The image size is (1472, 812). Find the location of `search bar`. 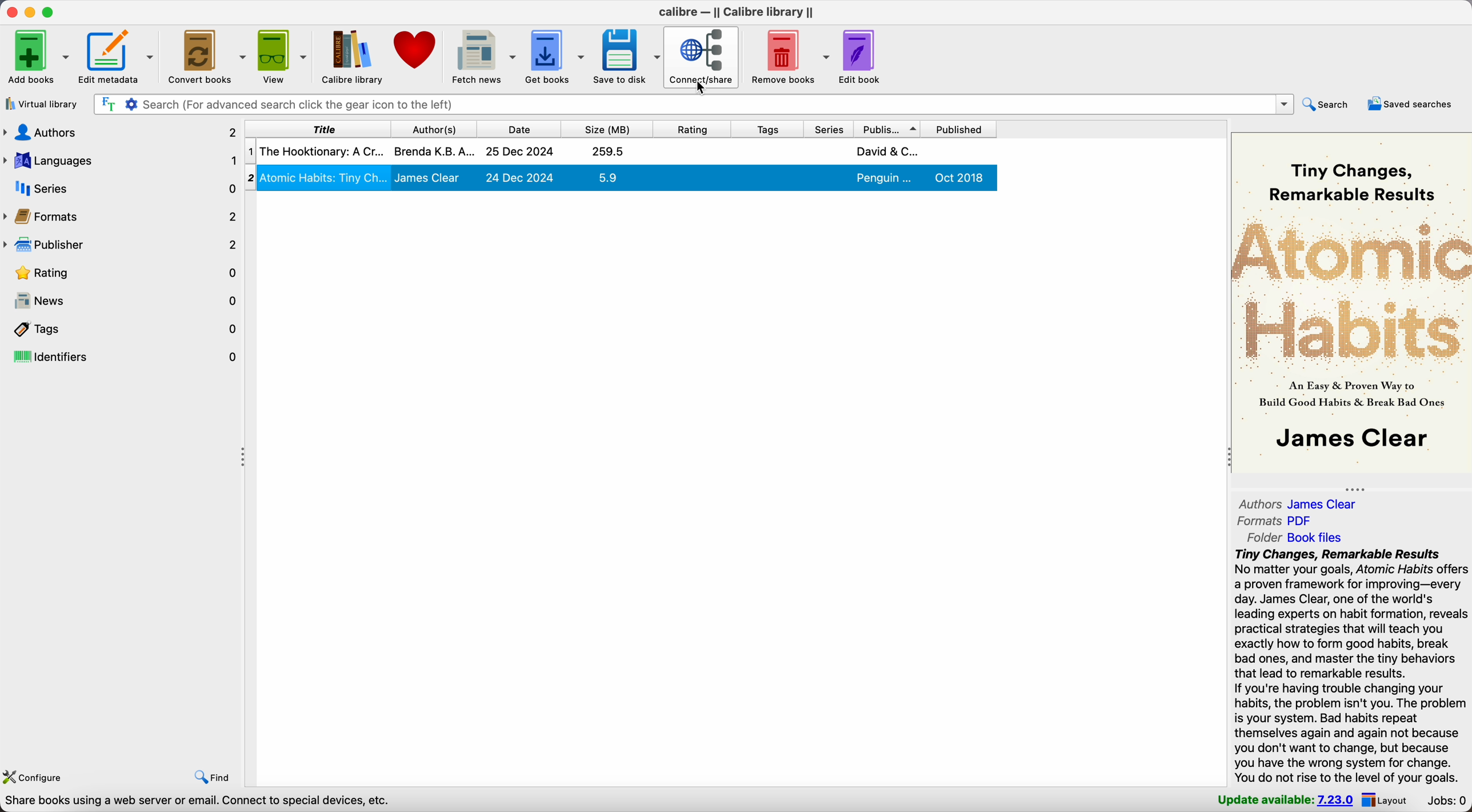

search bar is located at coordinates (692, 104).